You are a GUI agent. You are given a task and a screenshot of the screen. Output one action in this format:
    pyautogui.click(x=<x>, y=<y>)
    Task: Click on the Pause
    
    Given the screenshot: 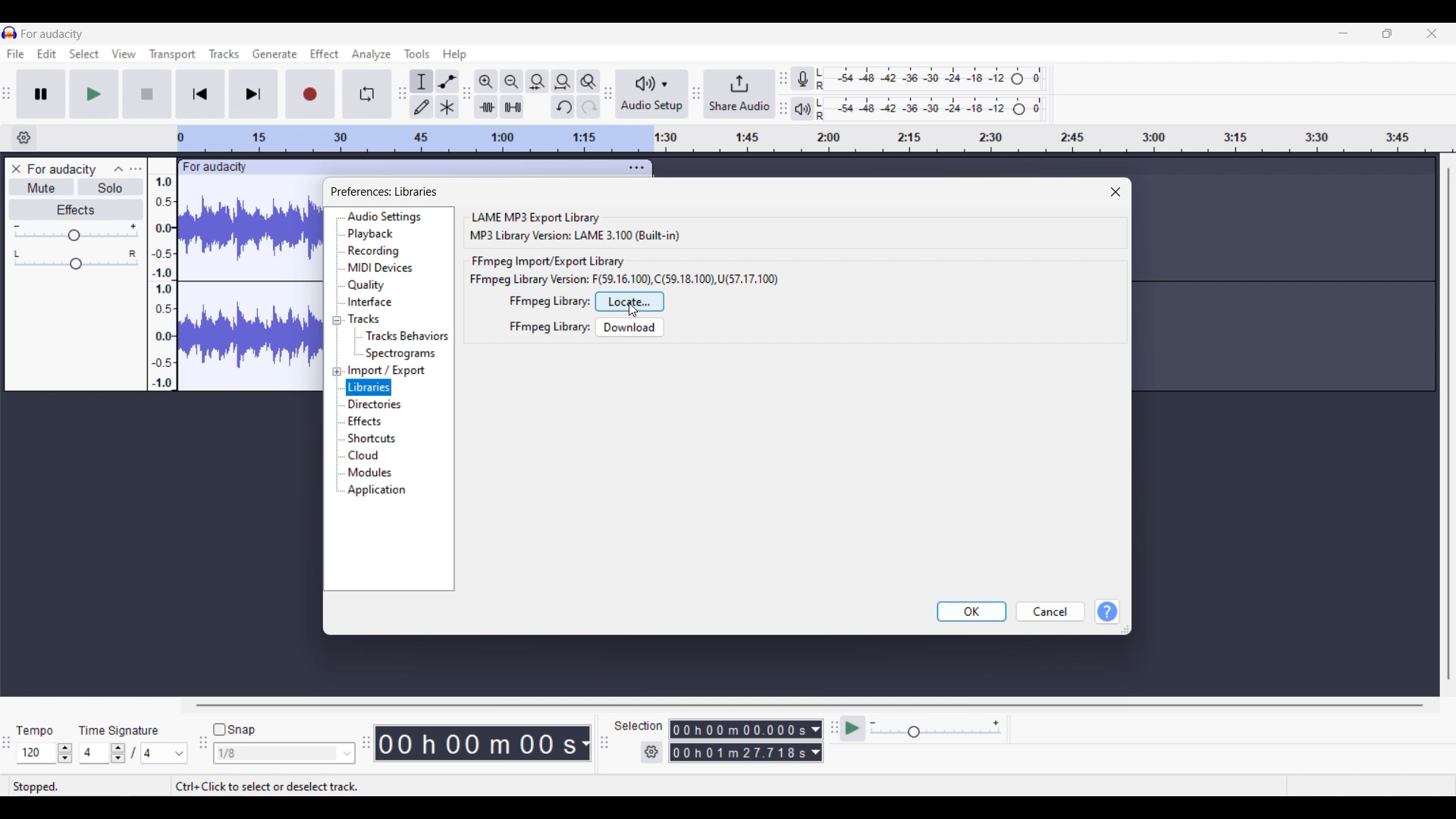 What is the action you would take?
    pyautogui.click(x=41, y=94)
    